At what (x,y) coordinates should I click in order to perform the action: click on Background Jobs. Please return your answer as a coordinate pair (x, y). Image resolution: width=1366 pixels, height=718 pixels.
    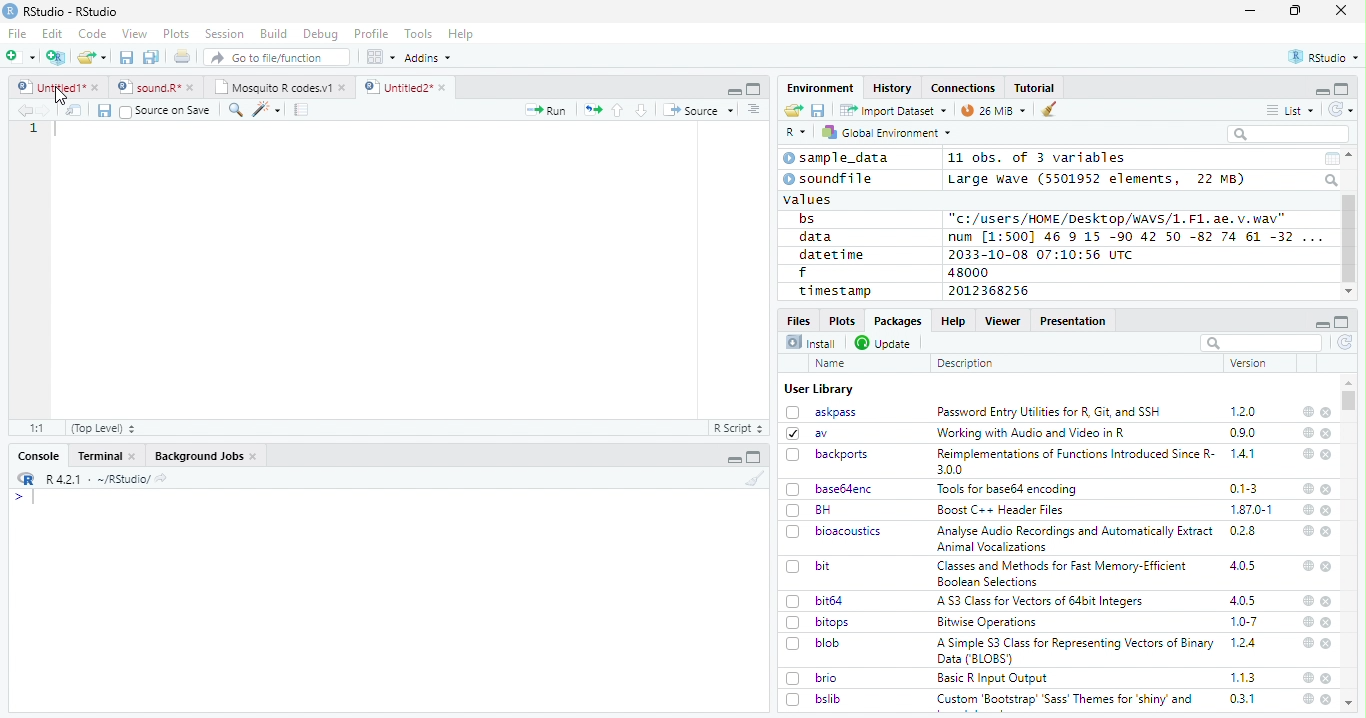
    Looking at the image, I should click on (206, 456).